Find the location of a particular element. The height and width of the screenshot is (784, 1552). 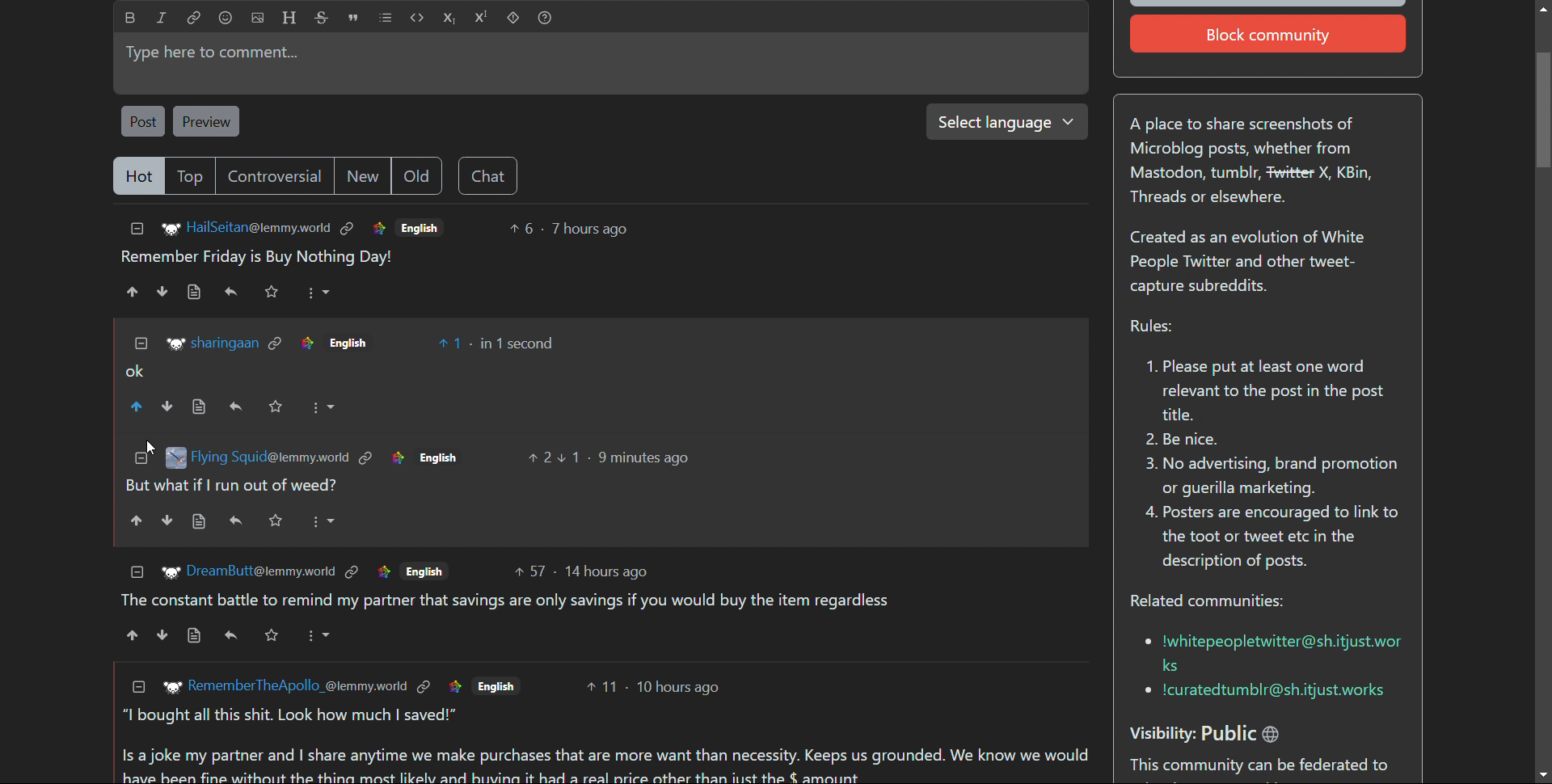

4. Posters are encouraged to link to the toot or tweet etc in the description of posts. is located at coordinates (1272, 541).